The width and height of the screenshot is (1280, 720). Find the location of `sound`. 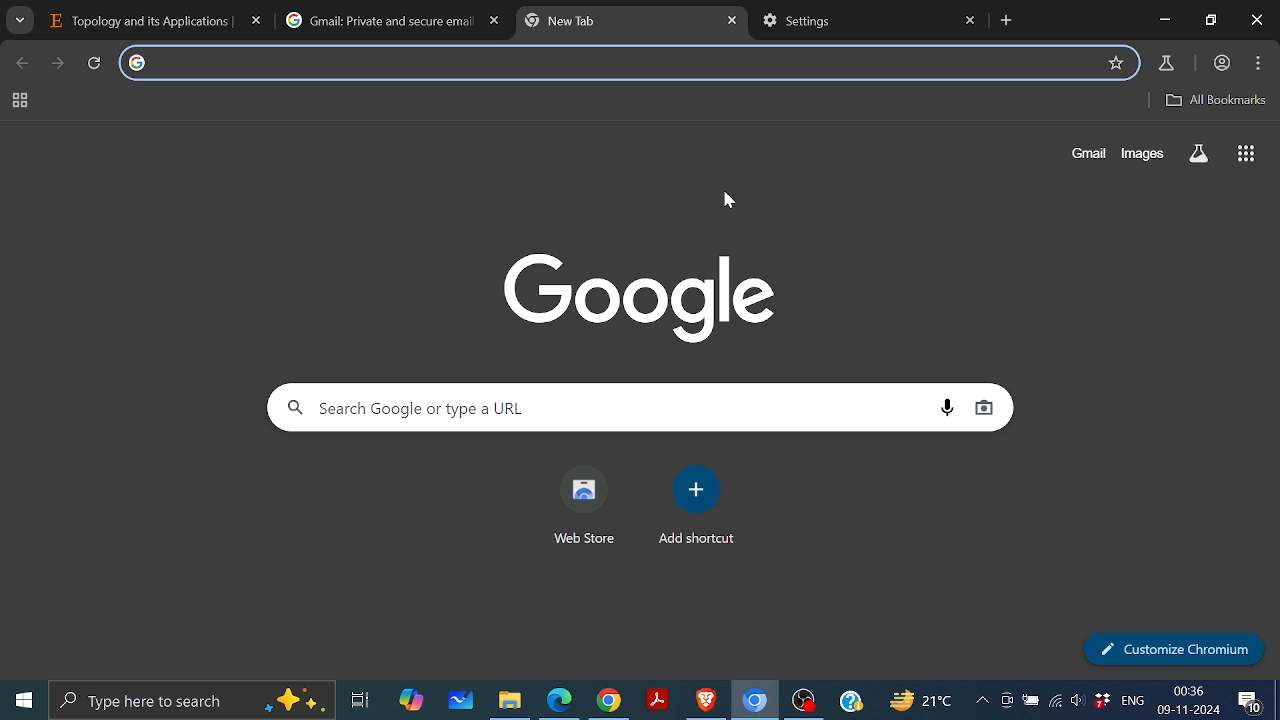

sound is located at coordinates (1078, 702).